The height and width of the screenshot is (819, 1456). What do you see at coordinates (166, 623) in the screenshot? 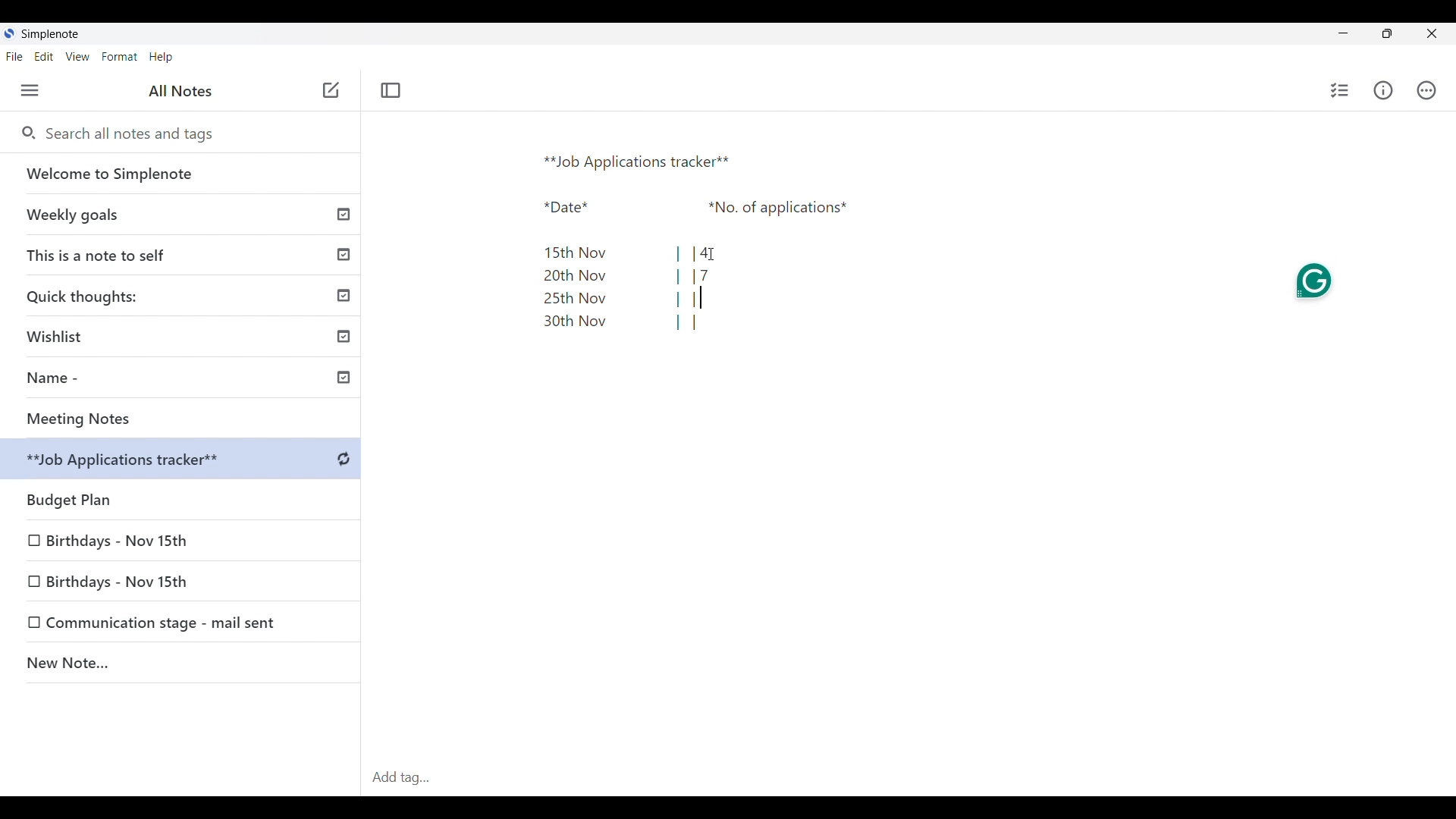
I see `Communication stage - mail sent` at bounding box center [166, 623].